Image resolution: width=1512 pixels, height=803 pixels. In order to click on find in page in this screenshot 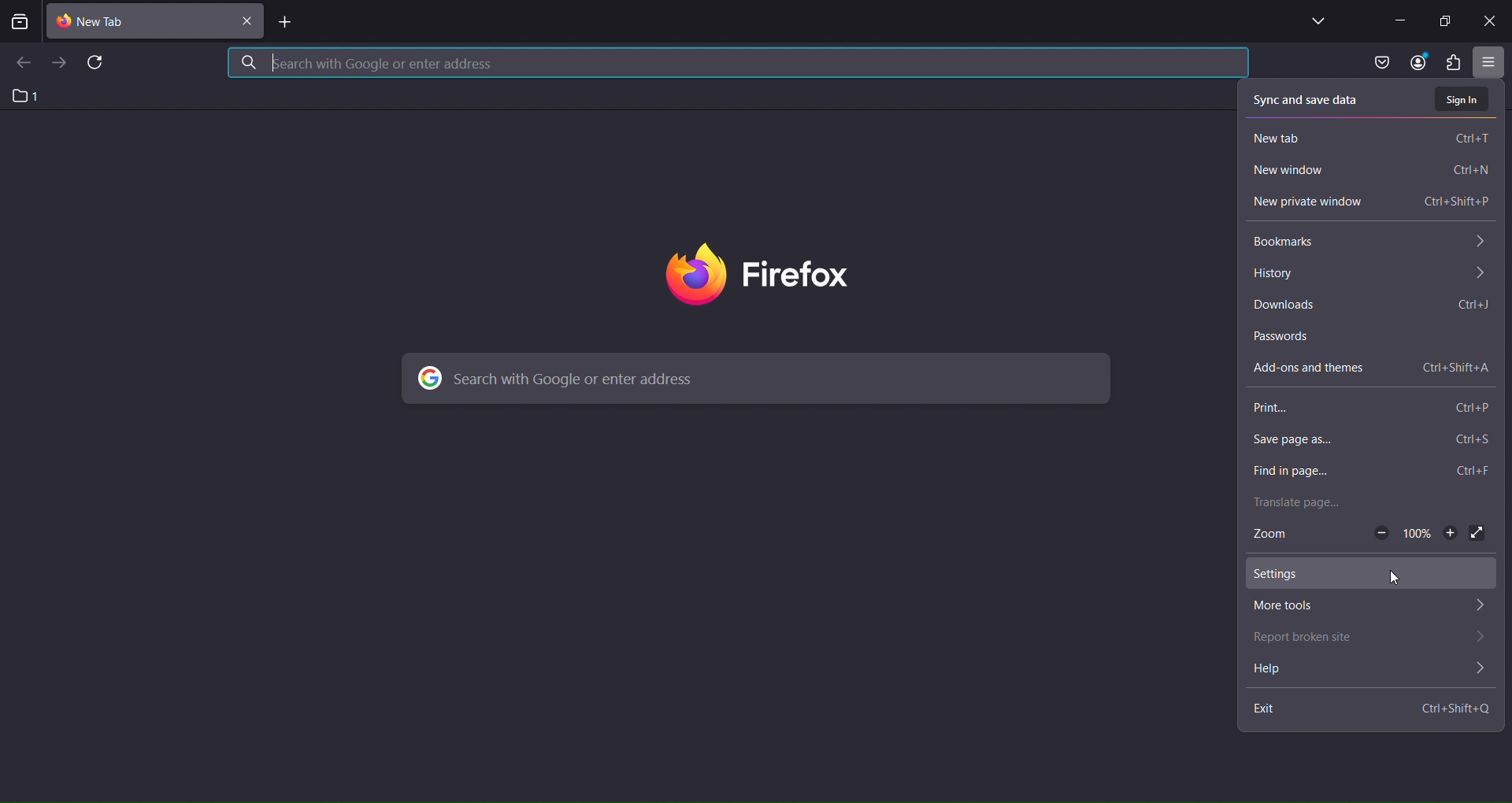, I will do `click(1367, 472)`.